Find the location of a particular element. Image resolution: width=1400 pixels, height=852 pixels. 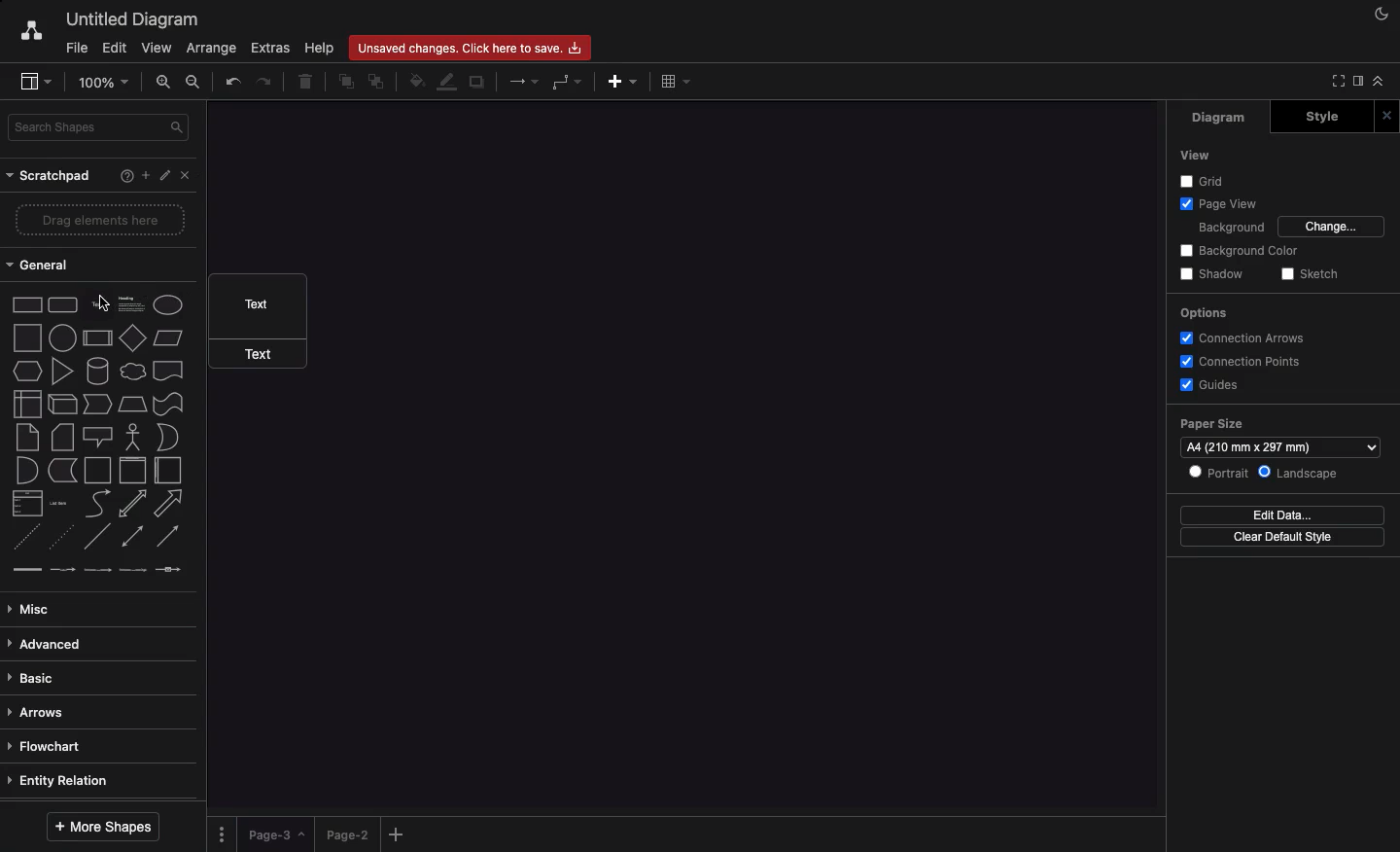

text is located at coordinates (85, 289).